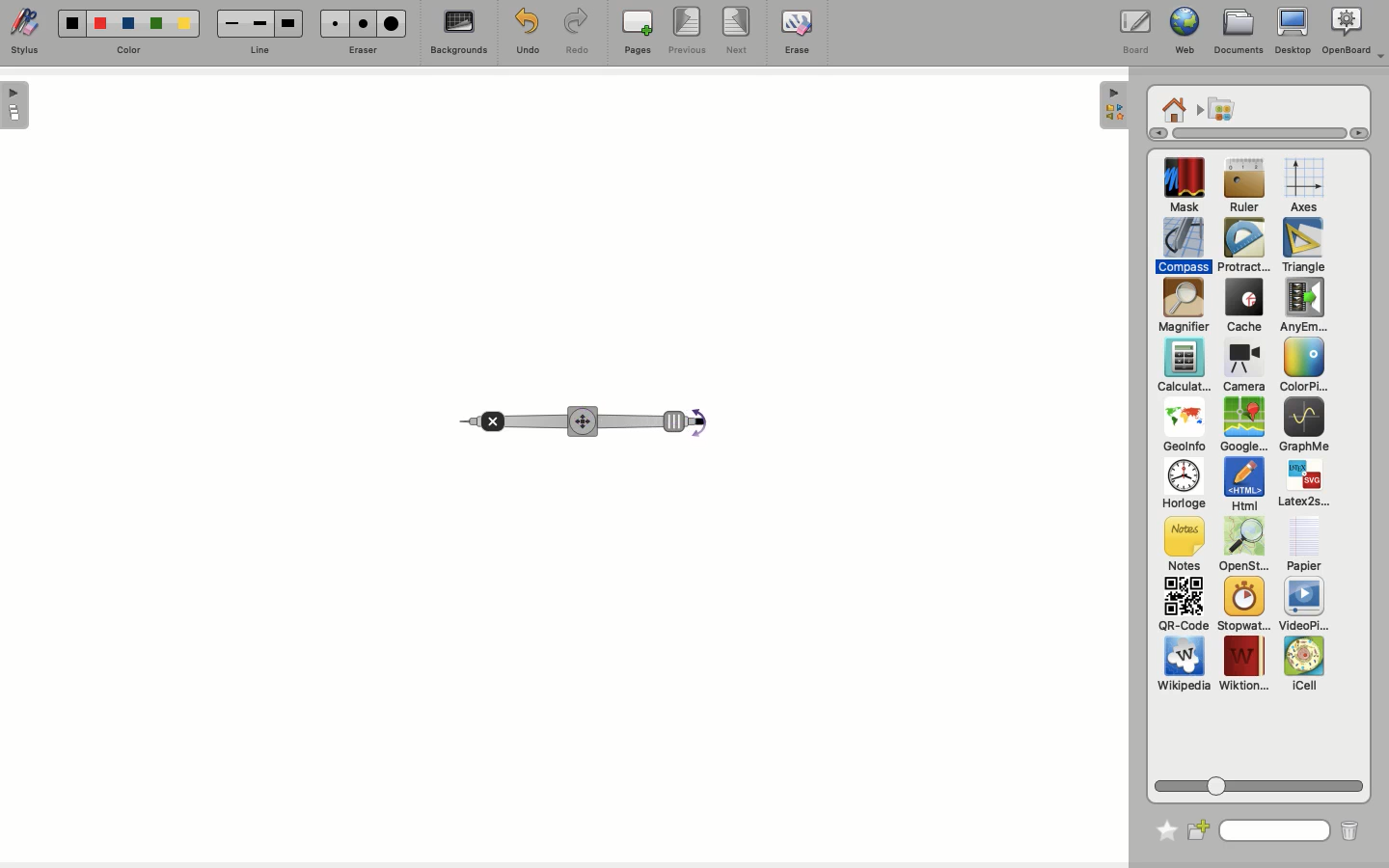 This screenshot has width=1389, height=868. What do you see at coordinates (1250, 133) in the screenshot?
I see `Scroll` at bounding box center [1250, 133].